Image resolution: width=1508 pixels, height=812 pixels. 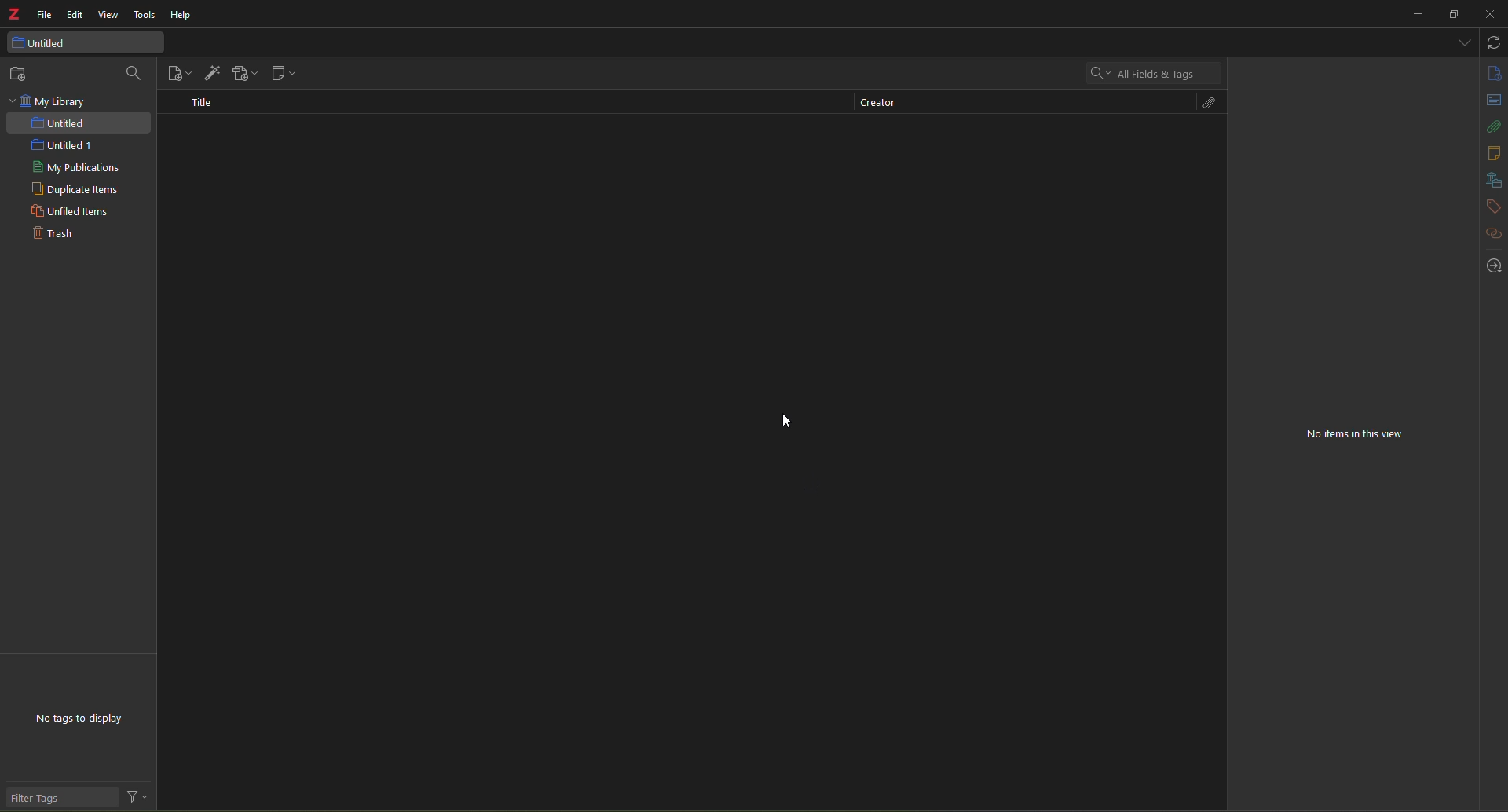 I want to click on tags, so click(x=1263, y=307).